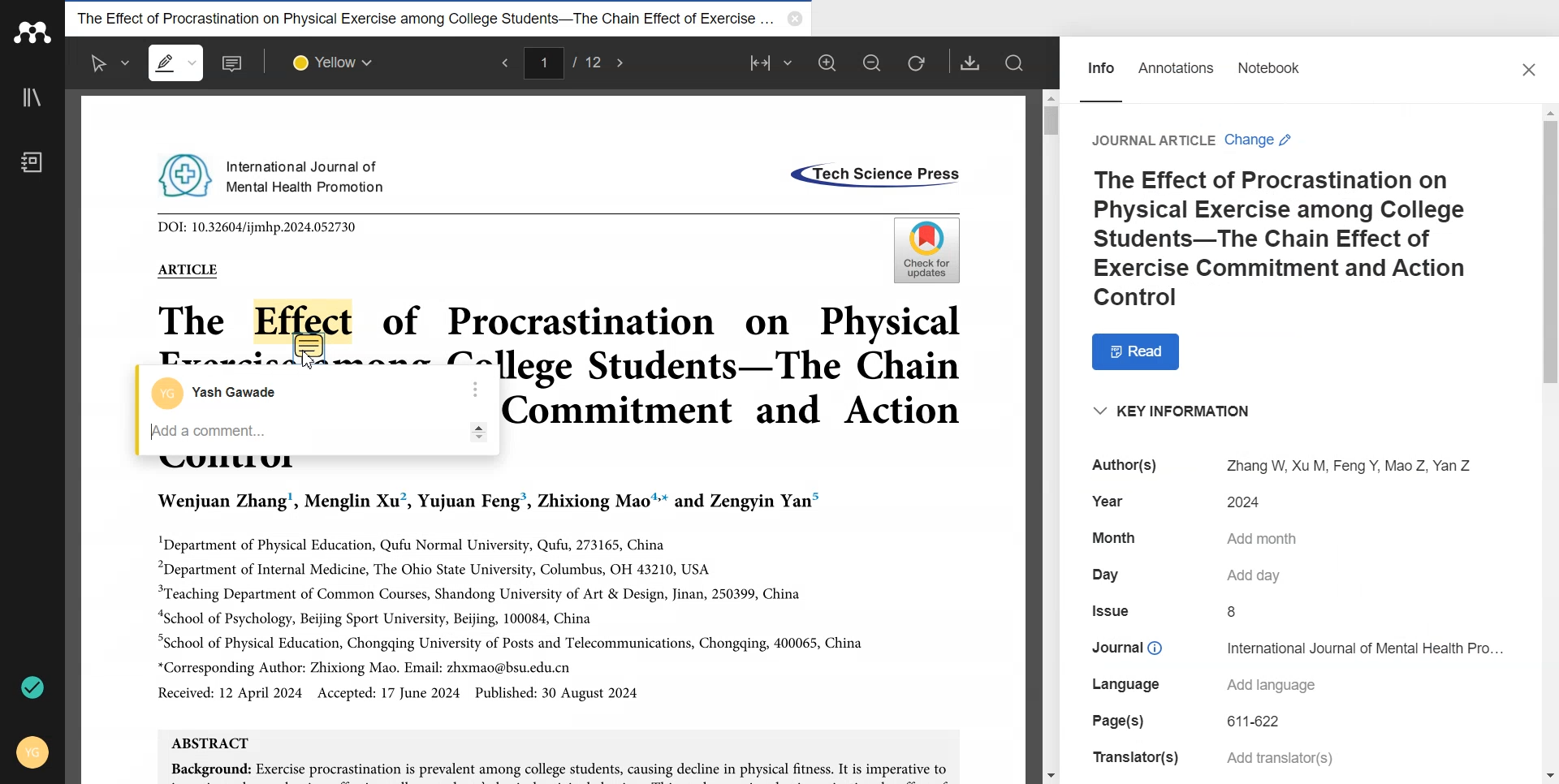  Describe the element at coordinates (221, 392) in the screenshot. I see `Account` at that location.